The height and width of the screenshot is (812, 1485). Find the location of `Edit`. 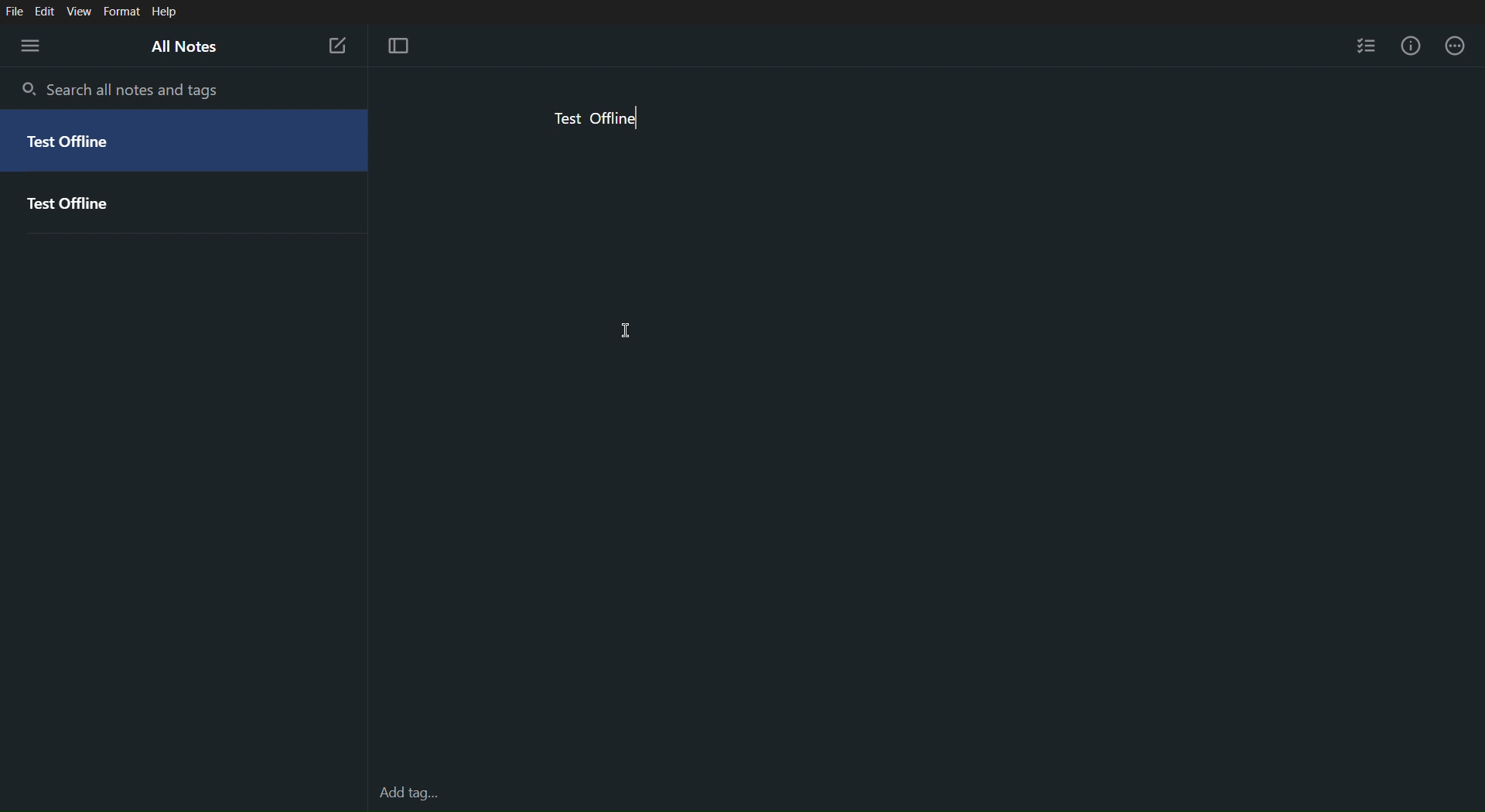

Edit is located at coordinates (46, 10).